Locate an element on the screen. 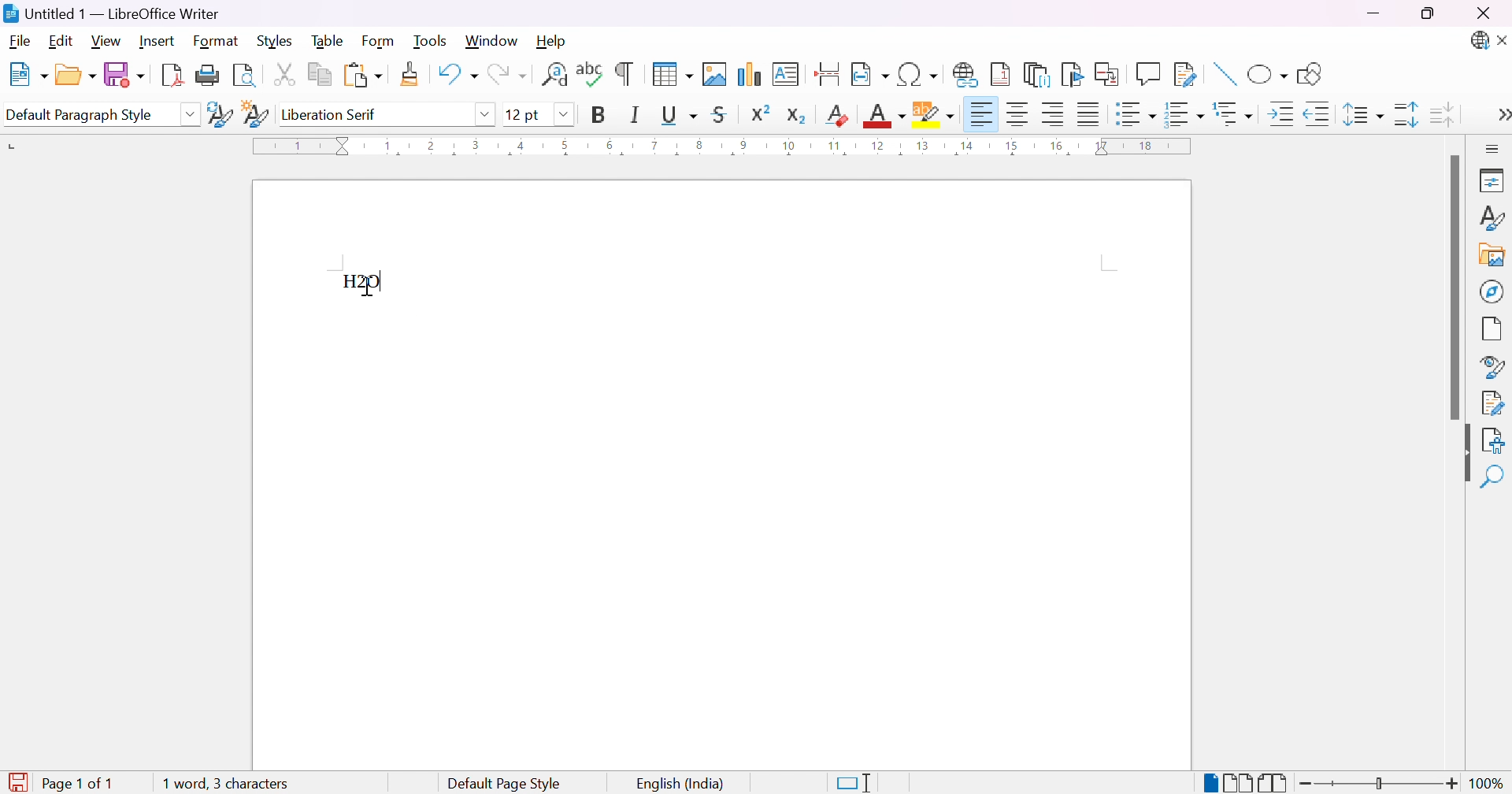 This screenshot has height=794, width=1512. Italic is located at coordinates (636, 114).